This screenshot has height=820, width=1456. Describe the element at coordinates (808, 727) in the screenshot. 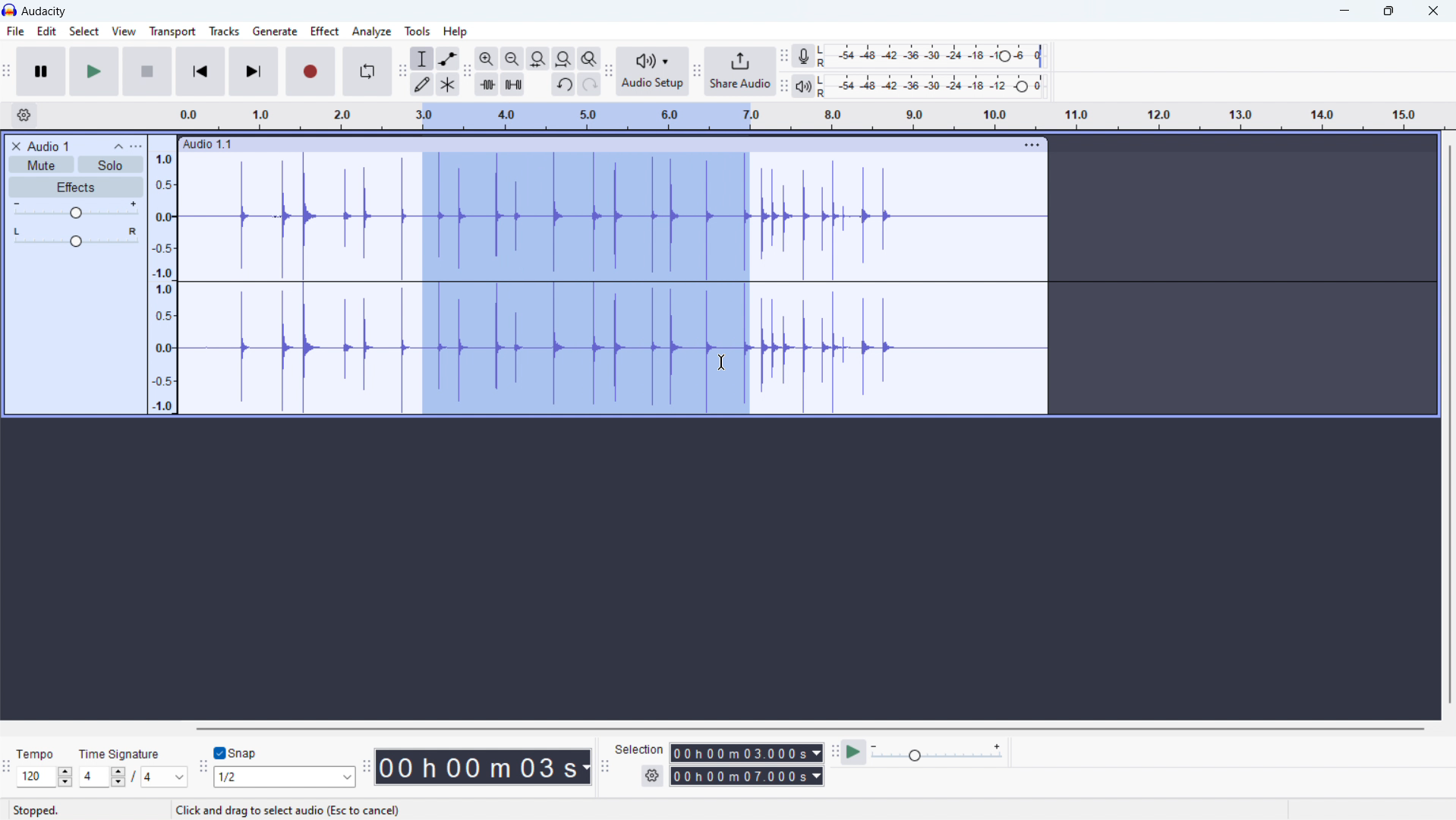

I see `horozontal scrollbar` at that location.